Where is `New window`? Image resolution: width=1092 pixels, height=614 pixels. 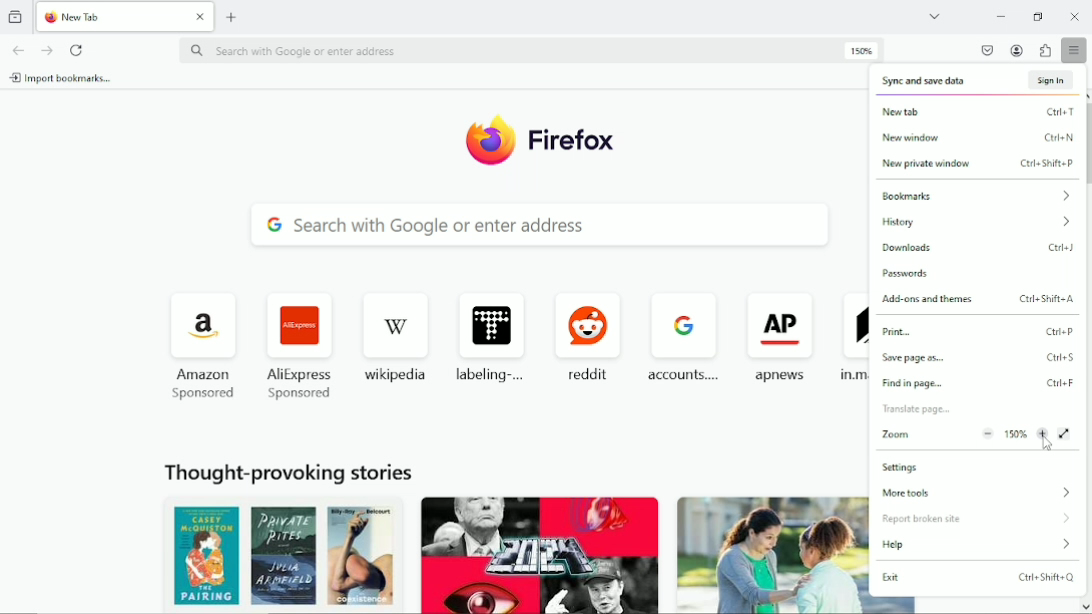 New window is located at coordinates (974, 138).